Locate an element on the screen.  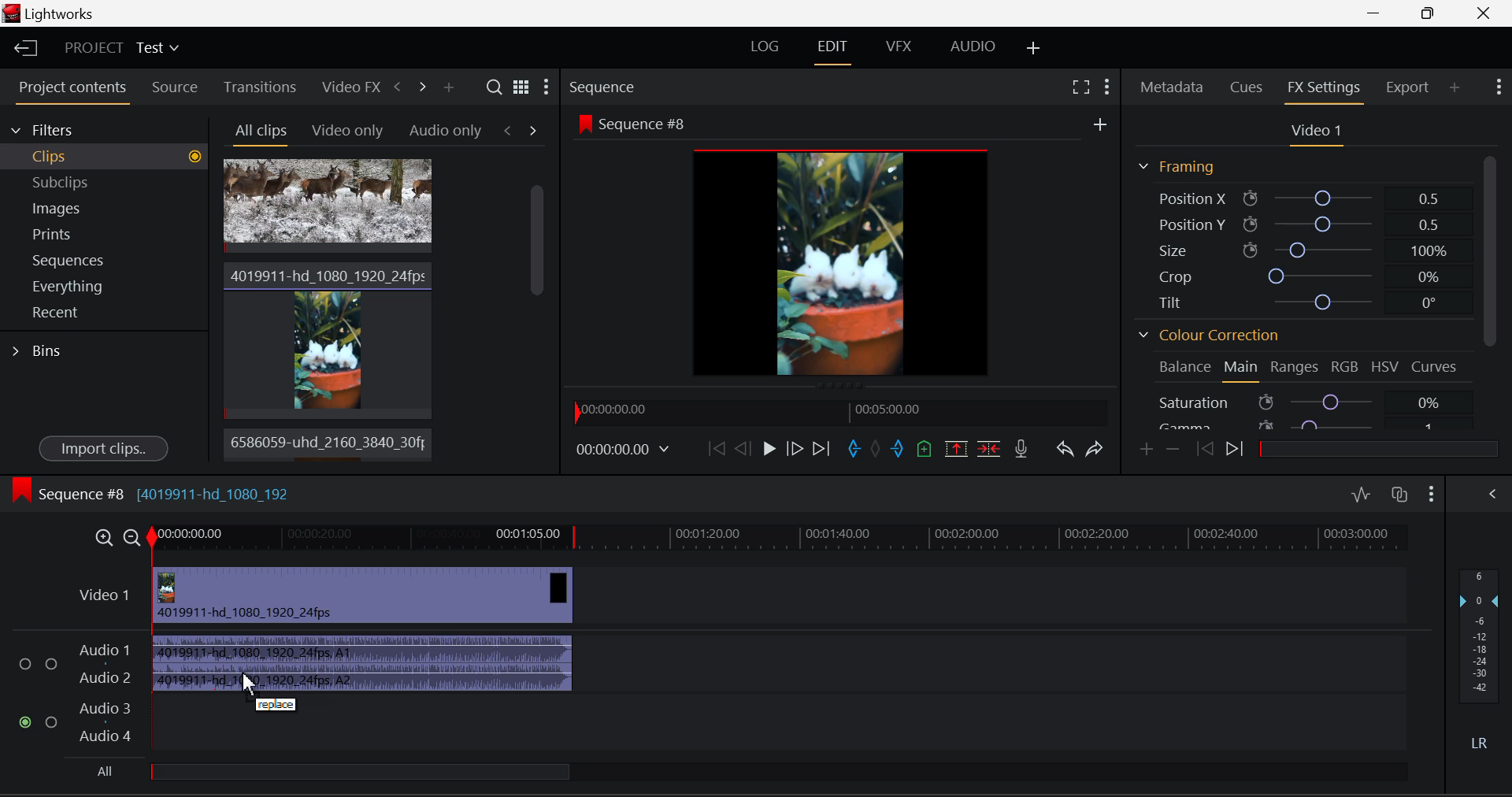
All is located at coordinates (339, 771).